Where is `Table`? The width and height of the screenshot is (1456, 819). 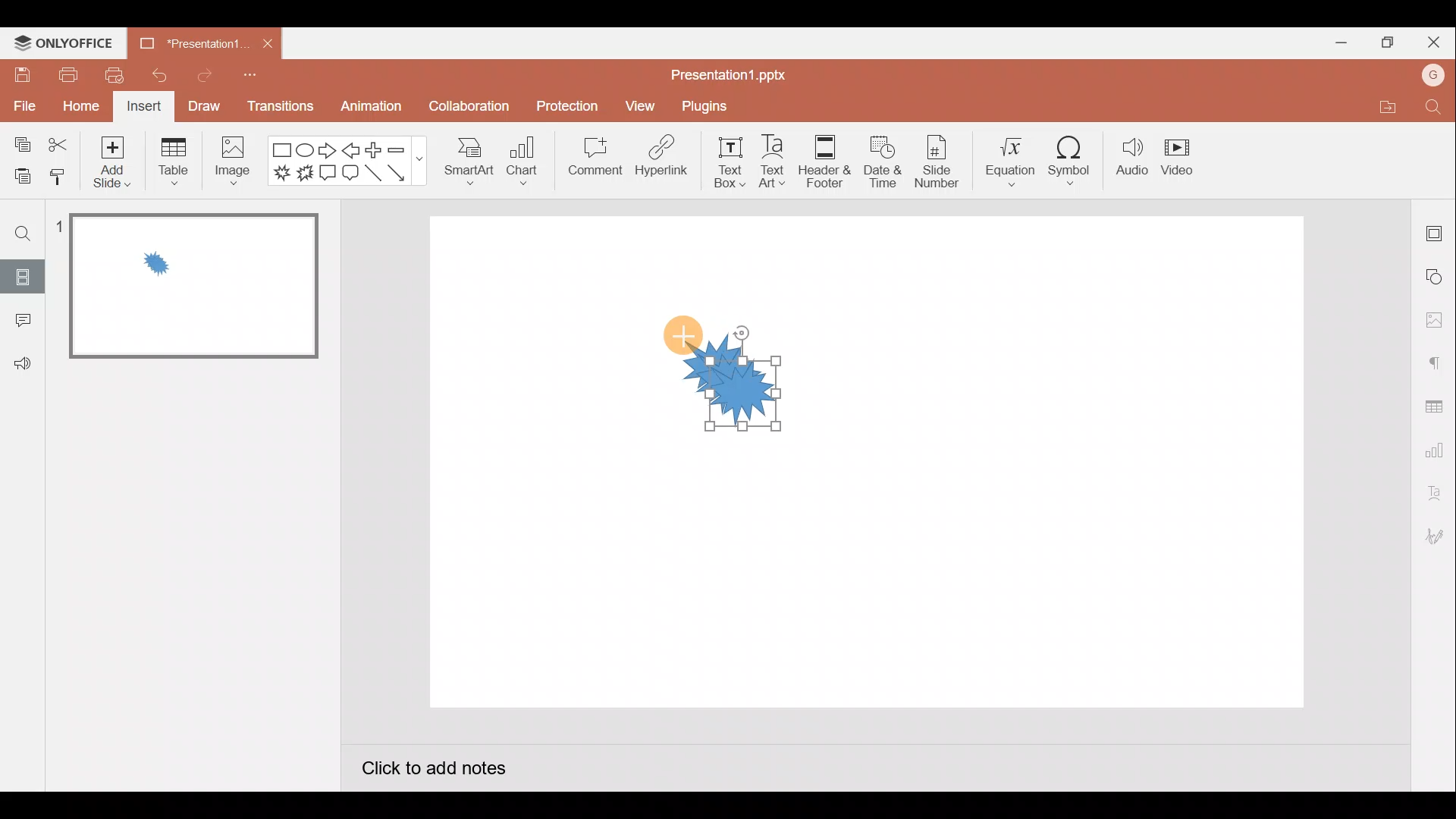
Table is located at coordinates (171, 162).